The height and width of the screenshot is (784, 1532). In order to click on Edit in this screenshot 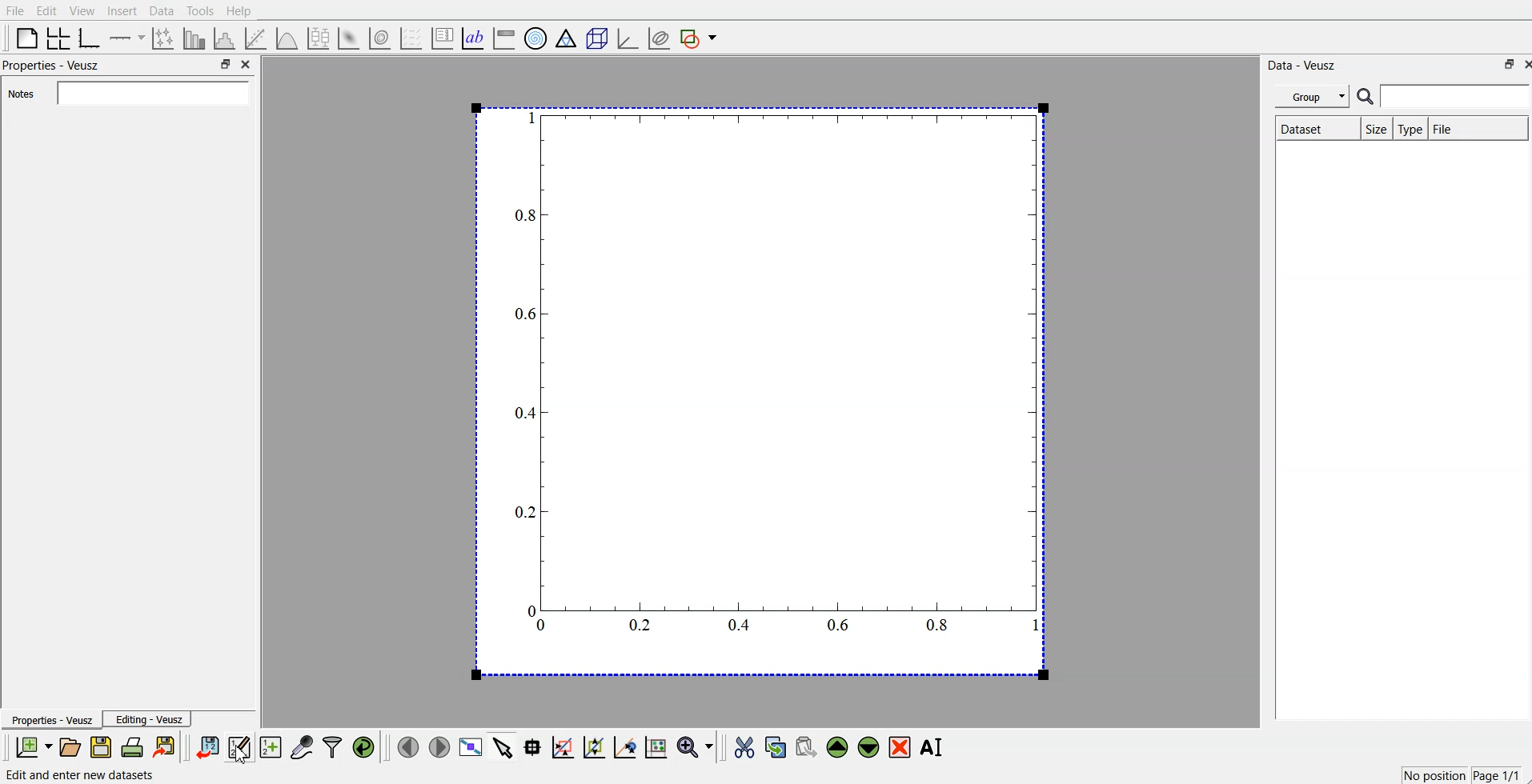, I will do `click(46, 10)`.